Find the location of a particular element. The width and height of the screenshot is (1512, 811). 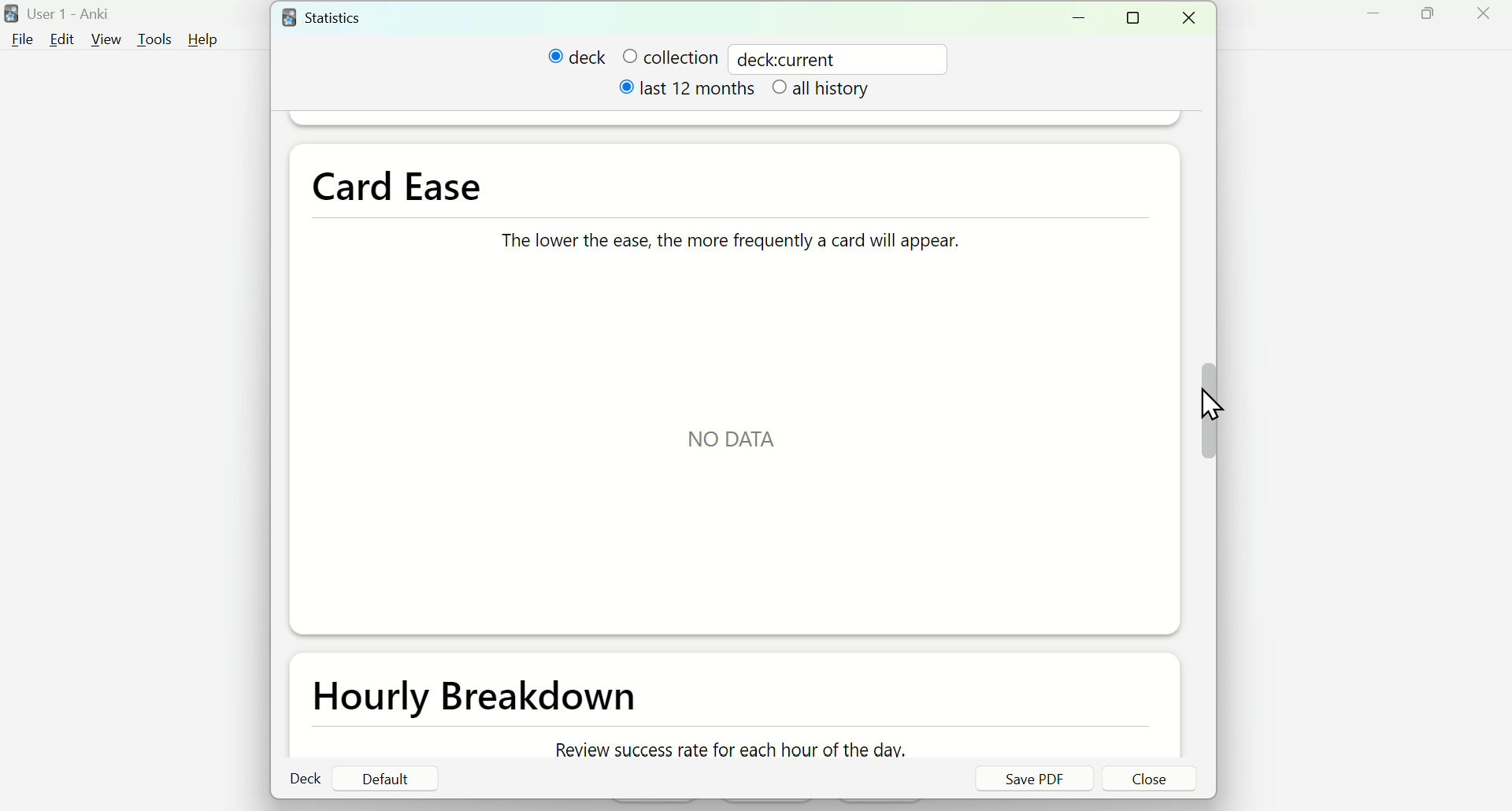

deck is located at coordinates (577, 57).